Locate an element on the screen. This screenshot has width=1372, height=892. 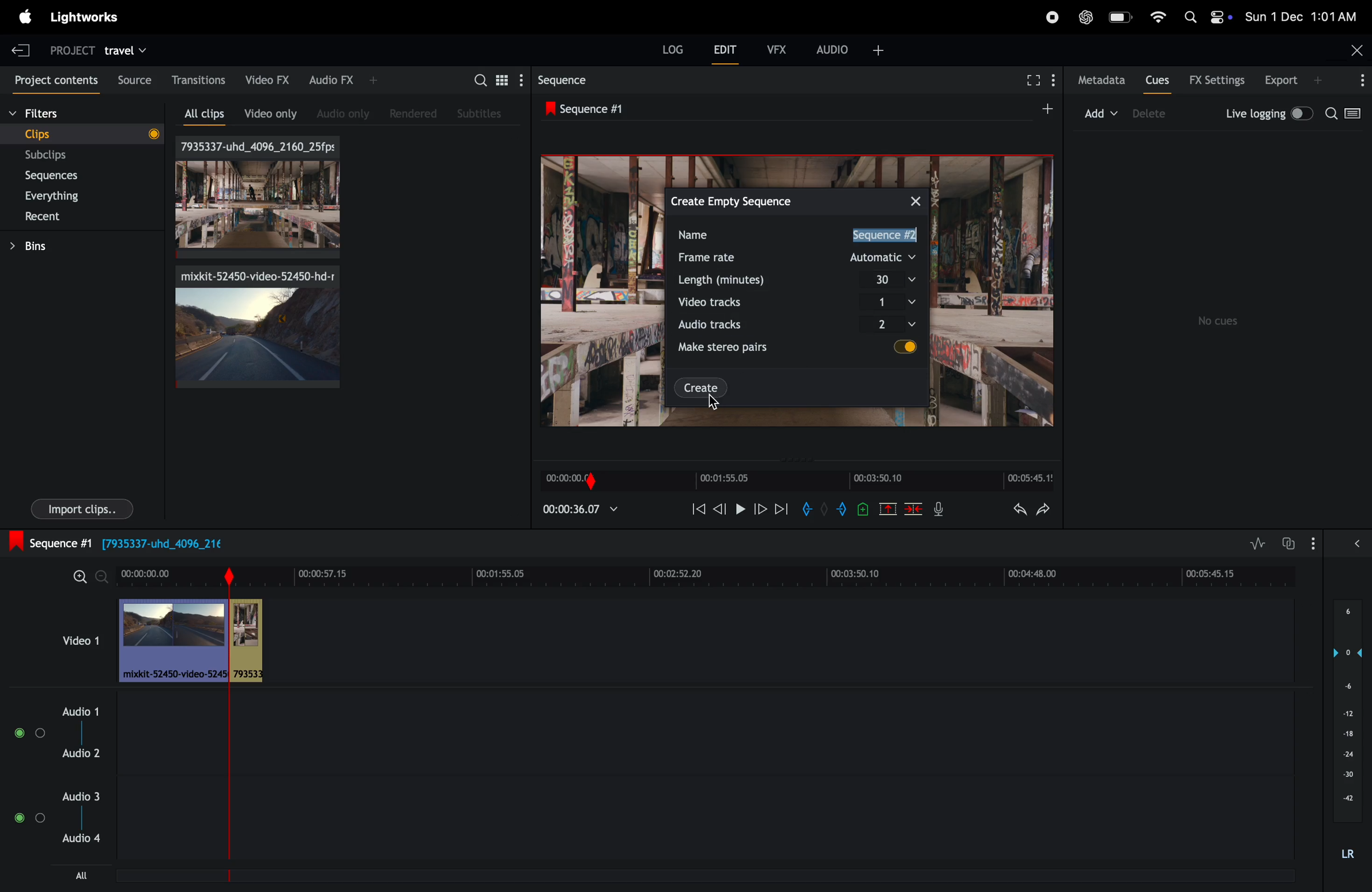
wifi is located at coordinates (1155, 16).